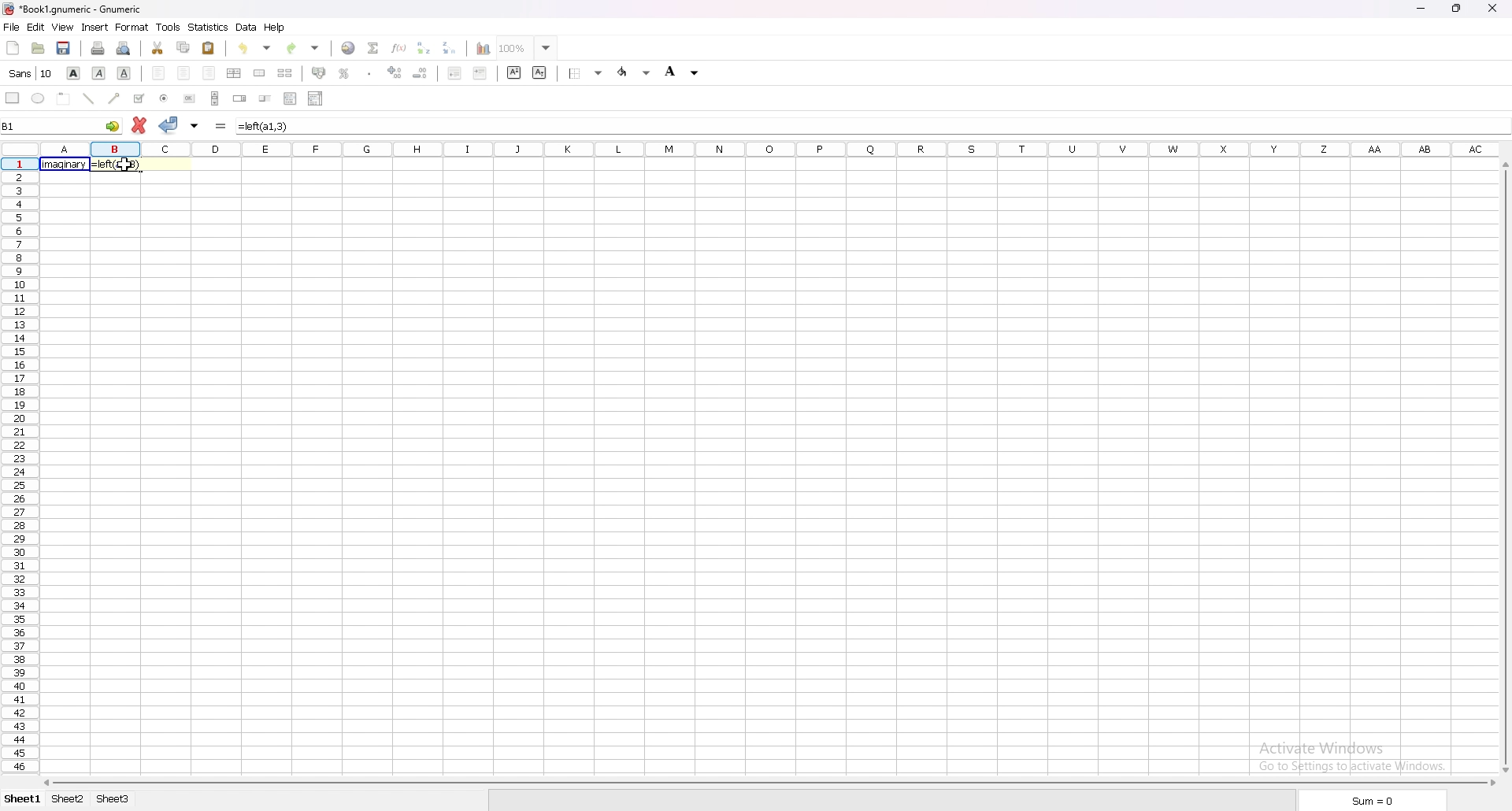 The height and width of the screenshot is (811, 1512). What do you see at coordinates (95, 27) in the screenshot?
I see `insert` at bounding box center [95, 27].